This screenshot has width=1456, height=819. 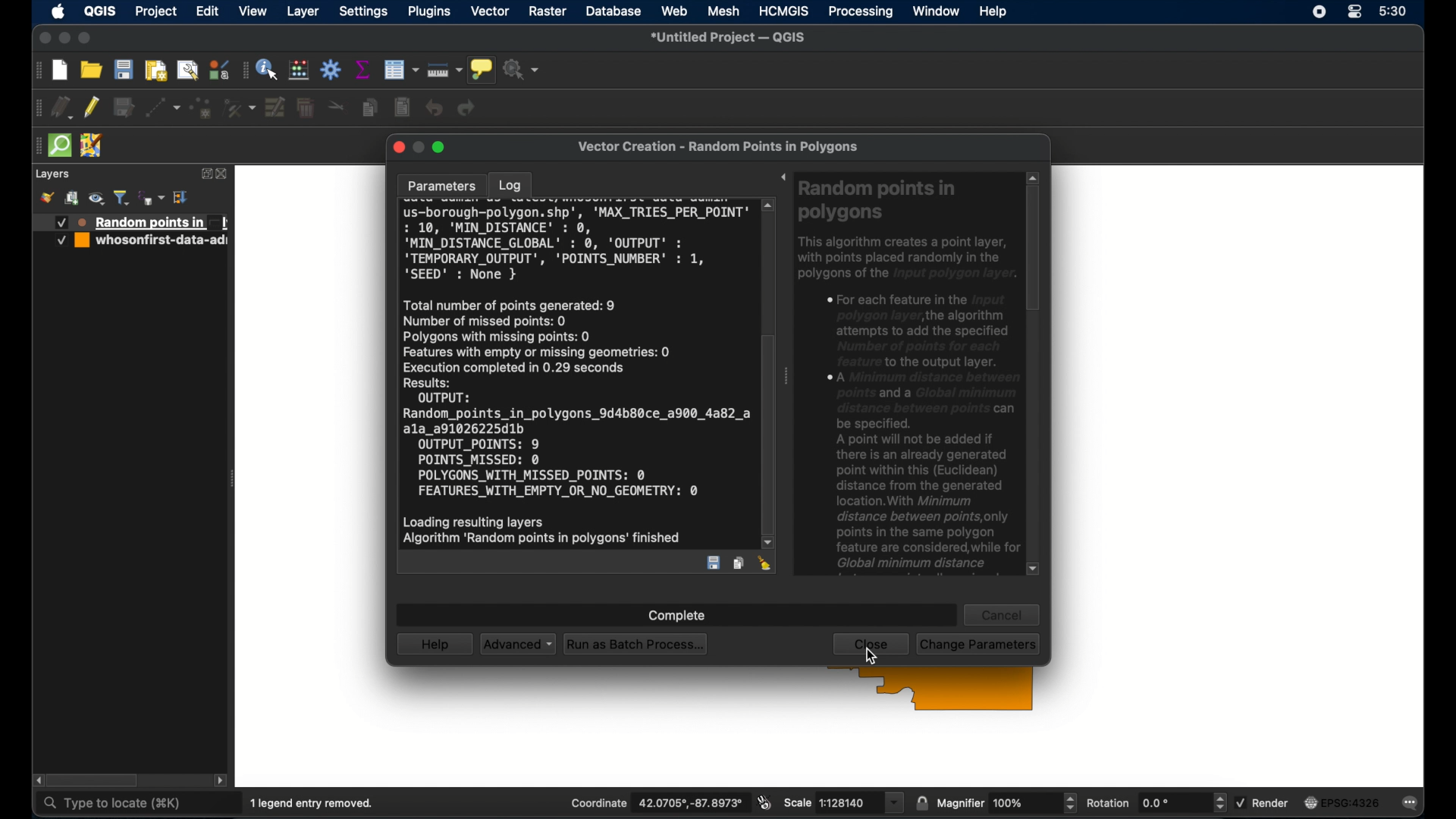 What do you see at coordinates (155, 70) in the screenshot?
I see `print layout` at bounding box center [155, 70].